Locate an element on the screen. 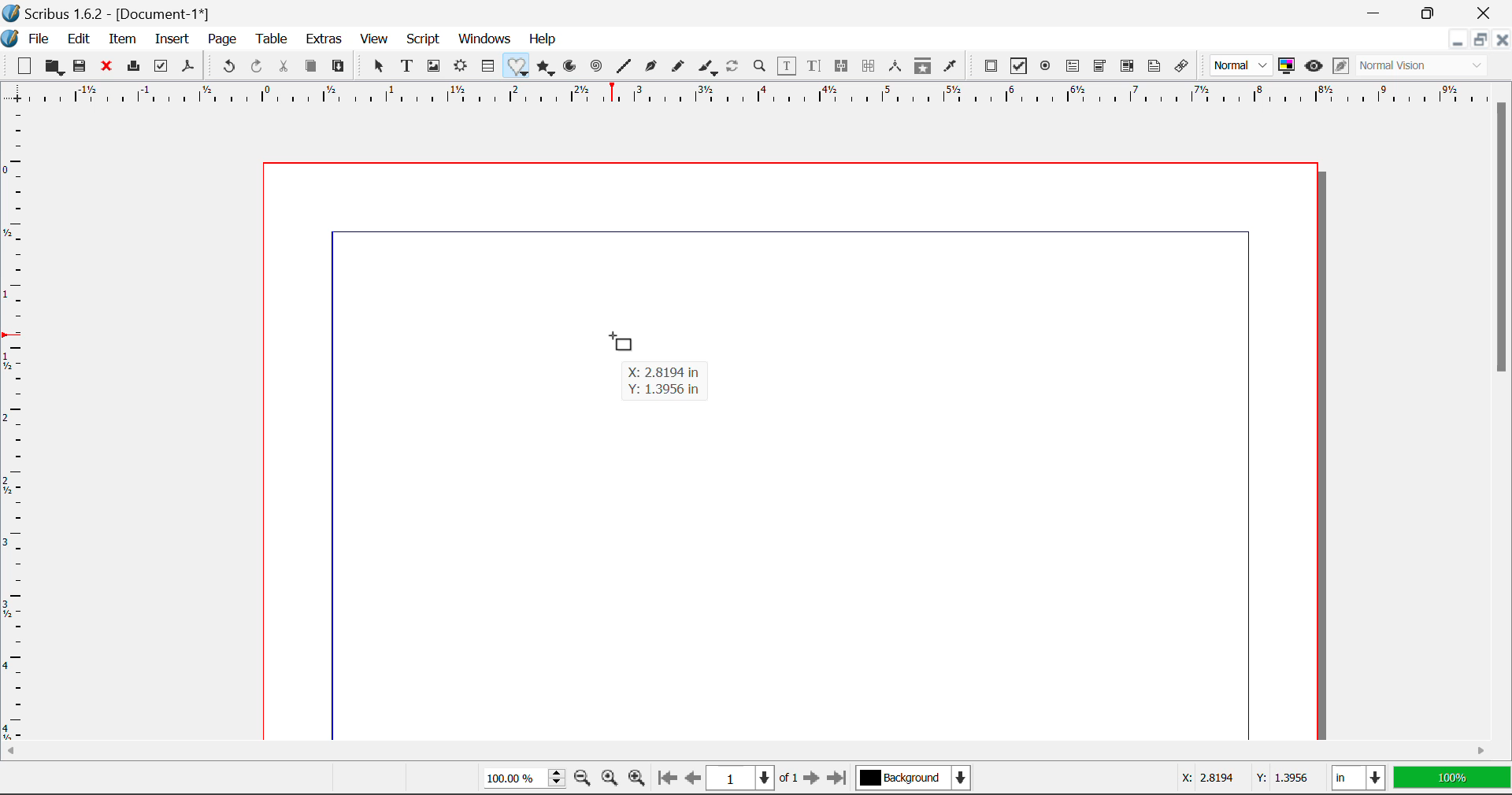 This screenshot has width=1512, height=795. Visual Appearance Display is located at coordinates (1424, 67).